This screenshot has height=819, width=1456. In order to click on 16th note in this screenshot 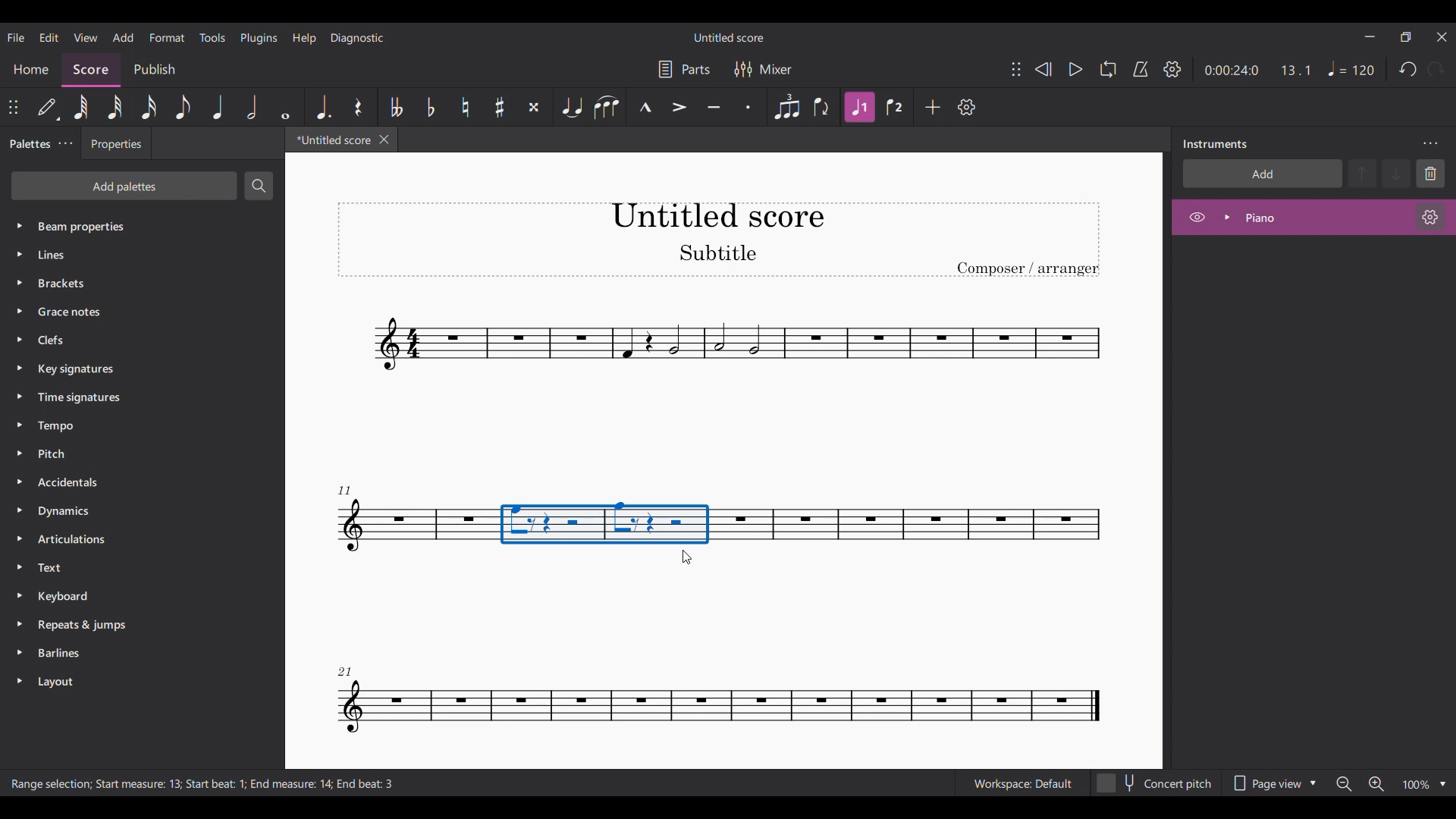, I will do `click(148, 107)`.